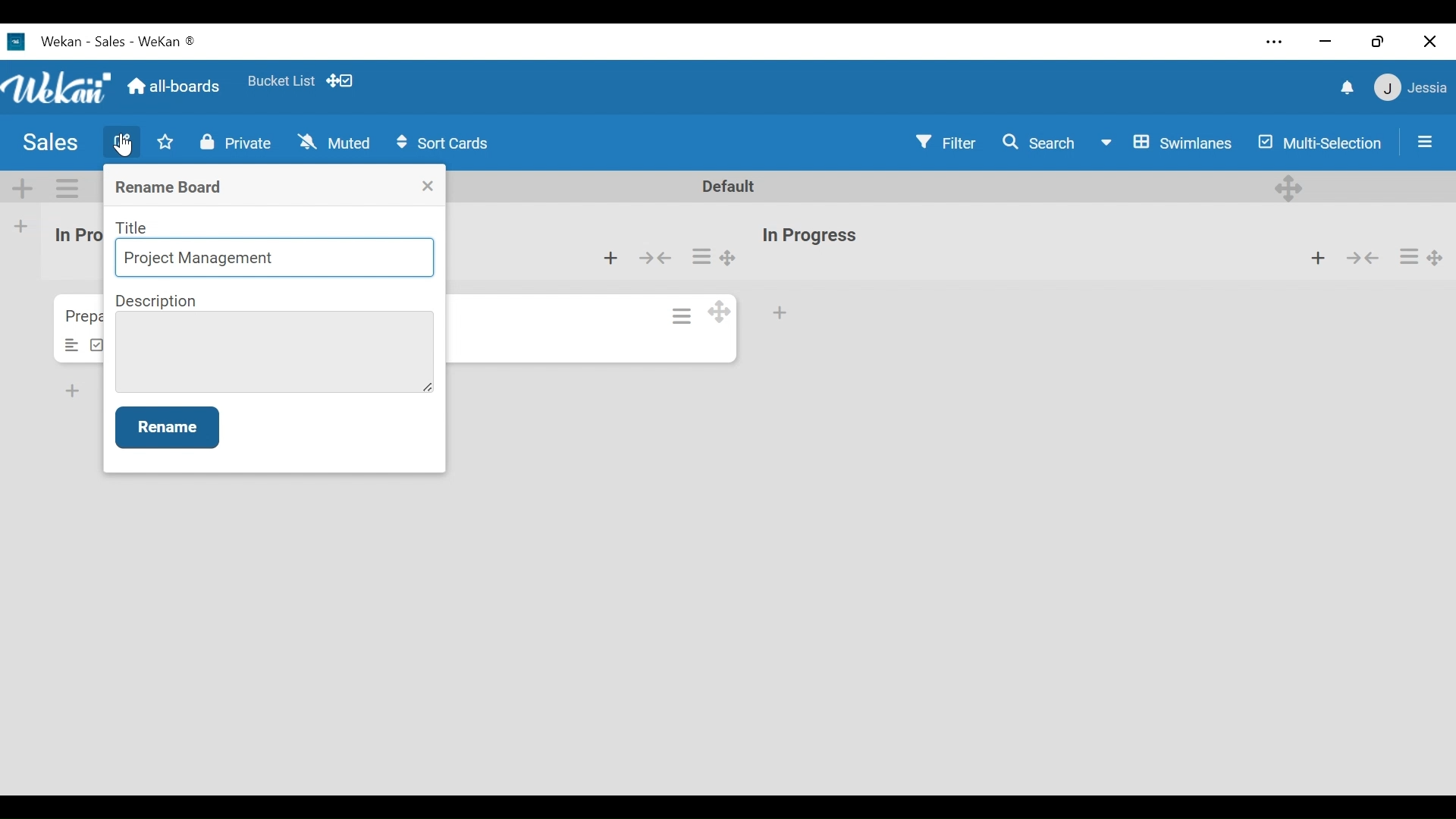  Describe the element at coordinates (165, 142) in the screenshot. I see `Toggle Favorites` at that location.